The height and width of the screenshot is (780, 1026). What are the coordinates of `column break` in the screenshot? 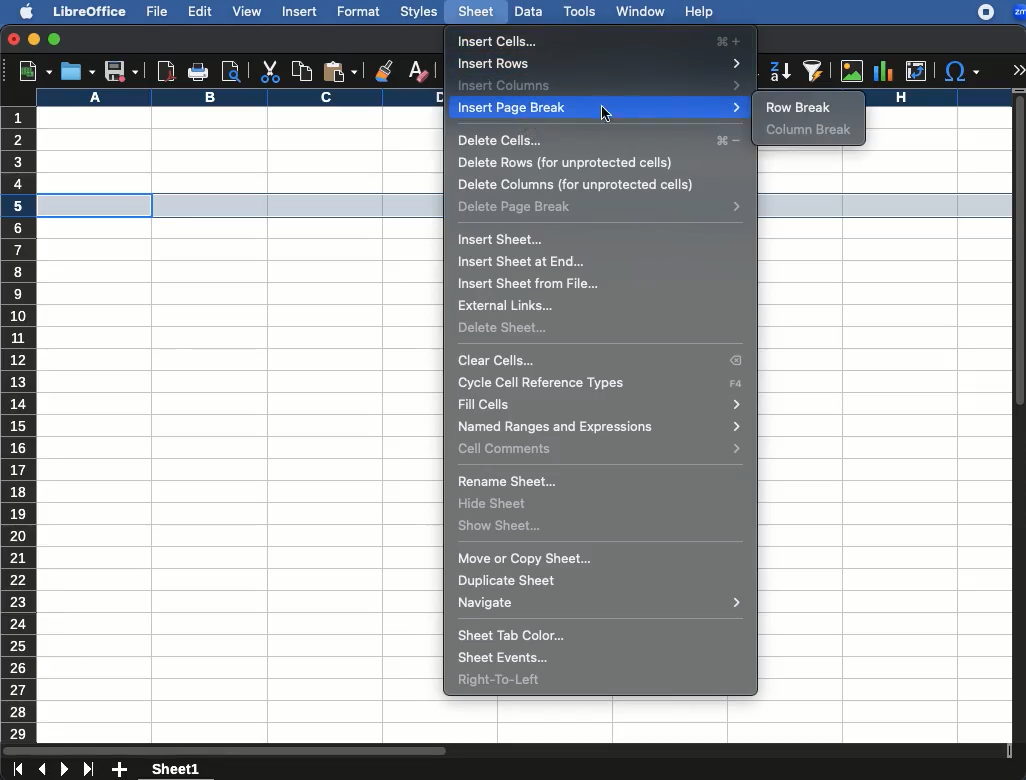 It's located at (809, 134).